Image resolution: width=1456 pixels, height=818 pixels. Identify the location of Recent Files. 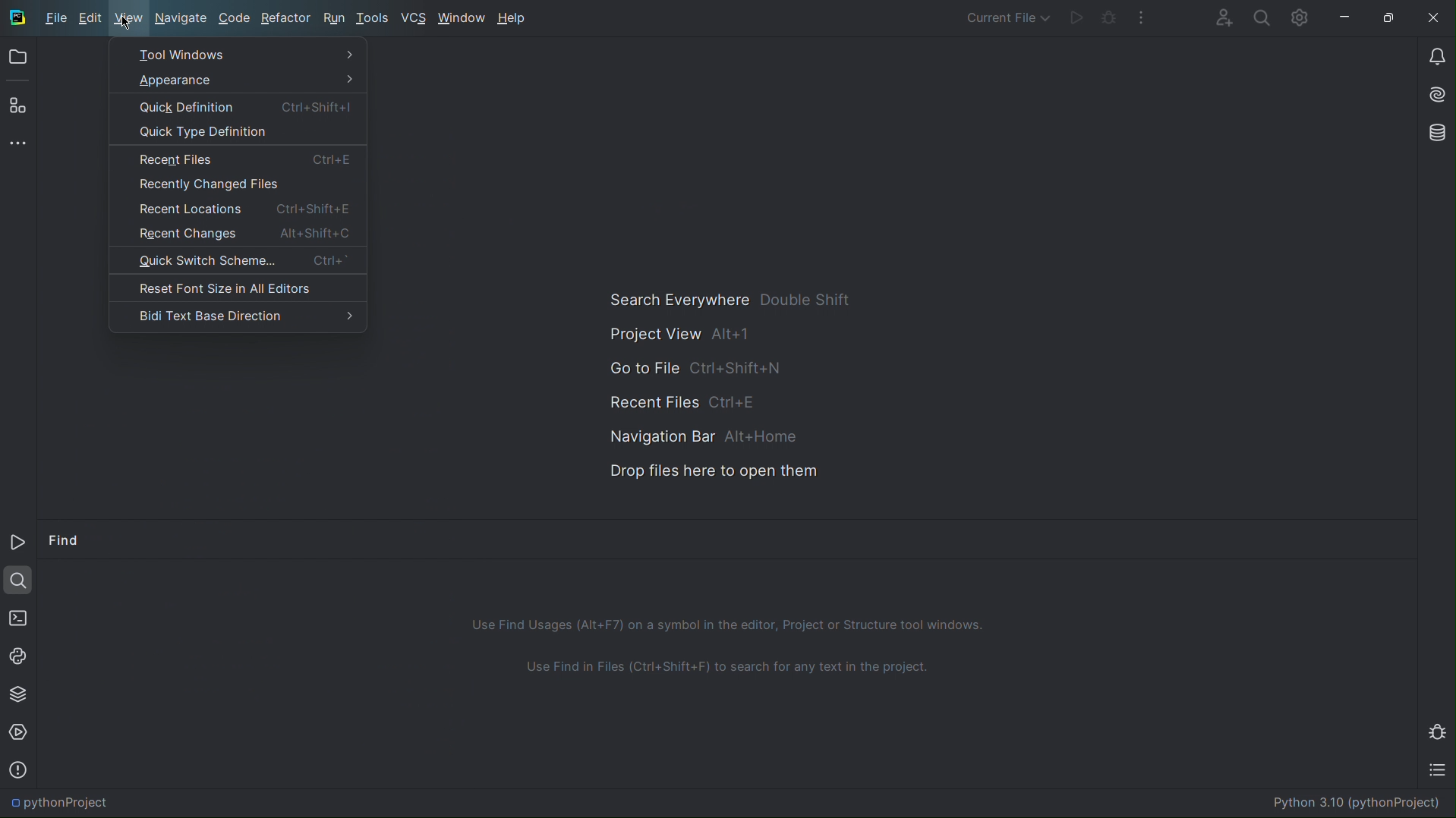
(686, 400).